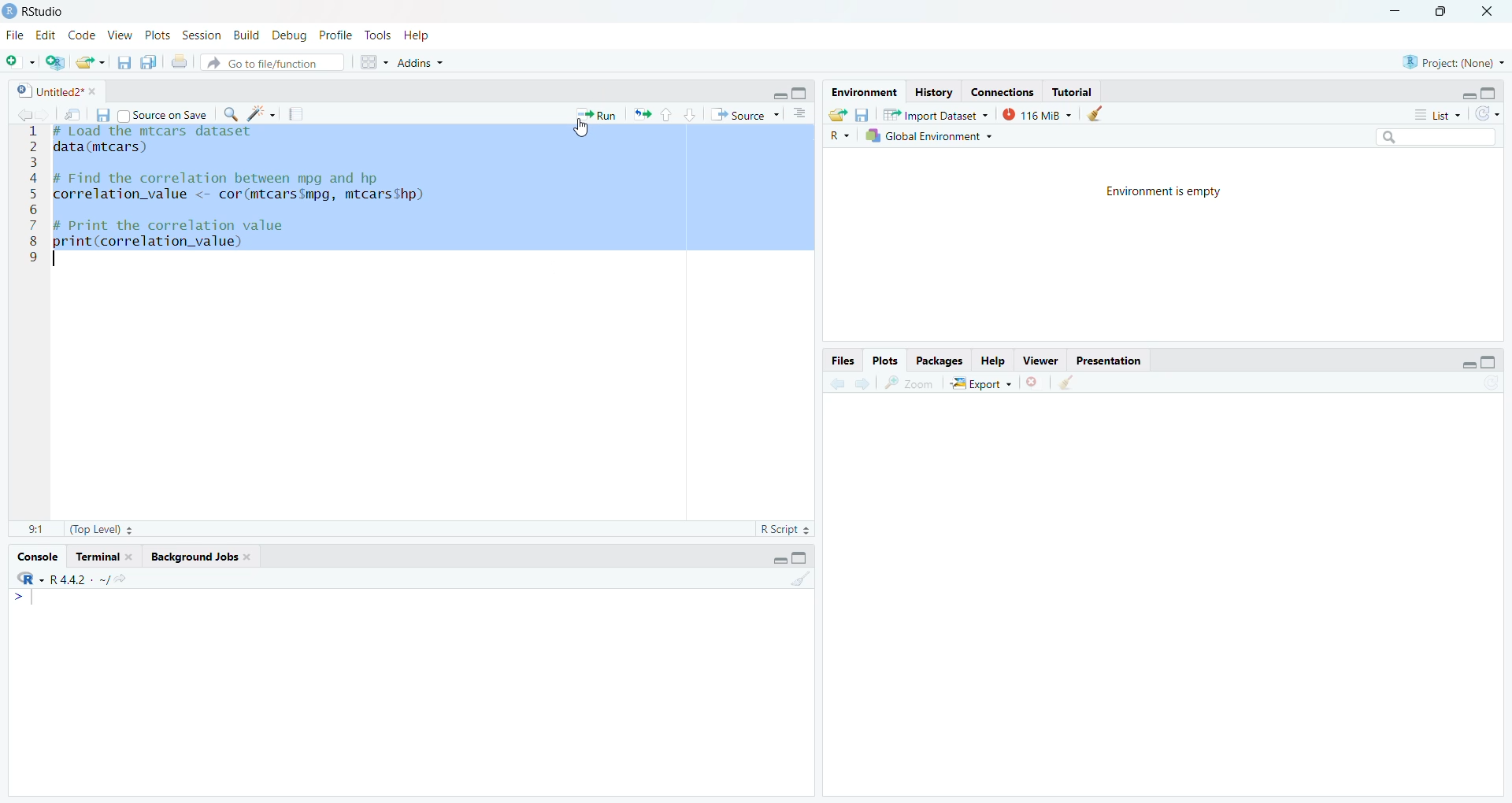  Describe the element at coordinates (1445, 12) in the screenshot. I see `Maximize/Restore` at that location.